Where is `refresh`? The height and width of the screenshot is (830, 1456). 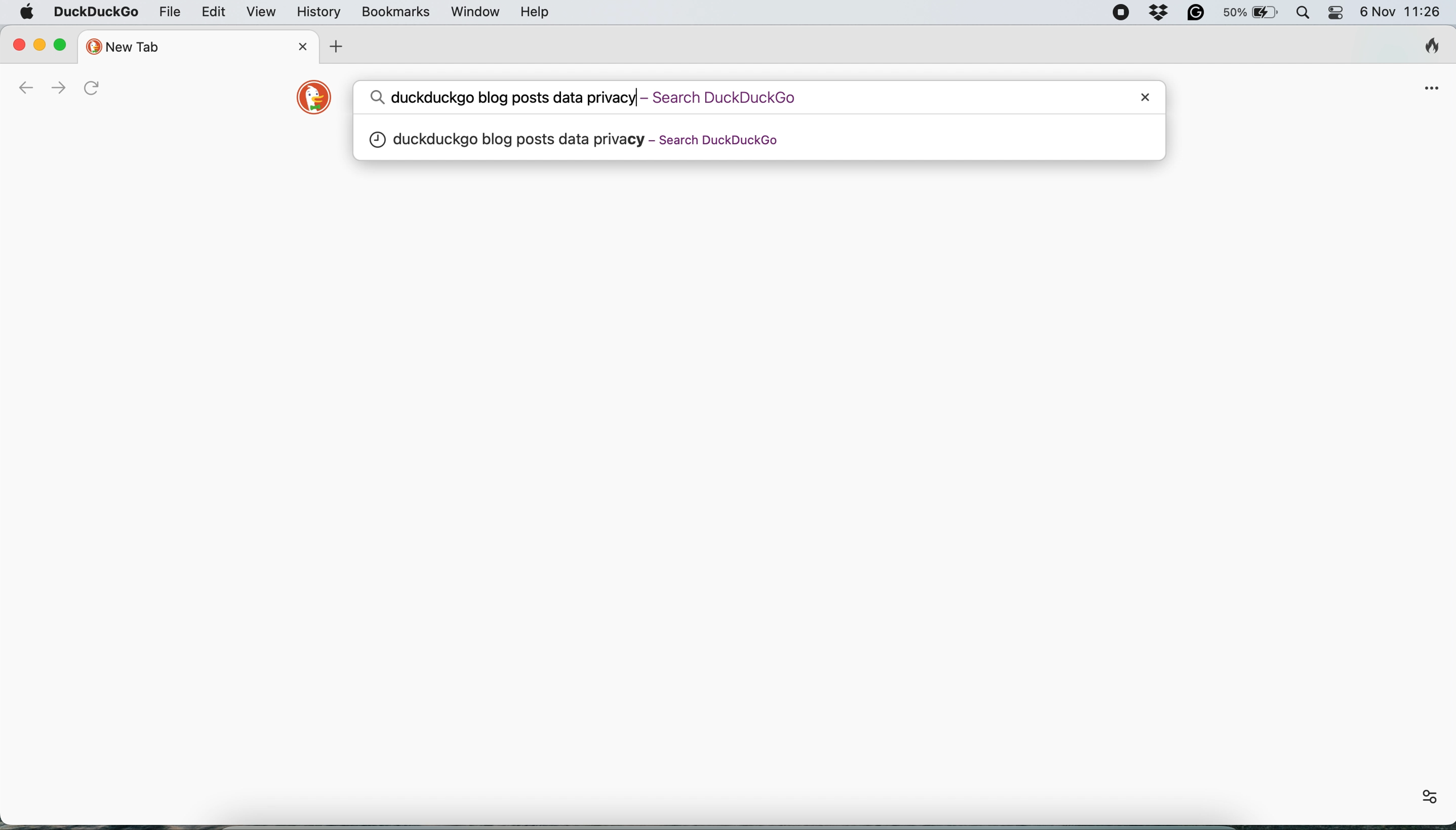 refresh is located at coordinates (94, 87).